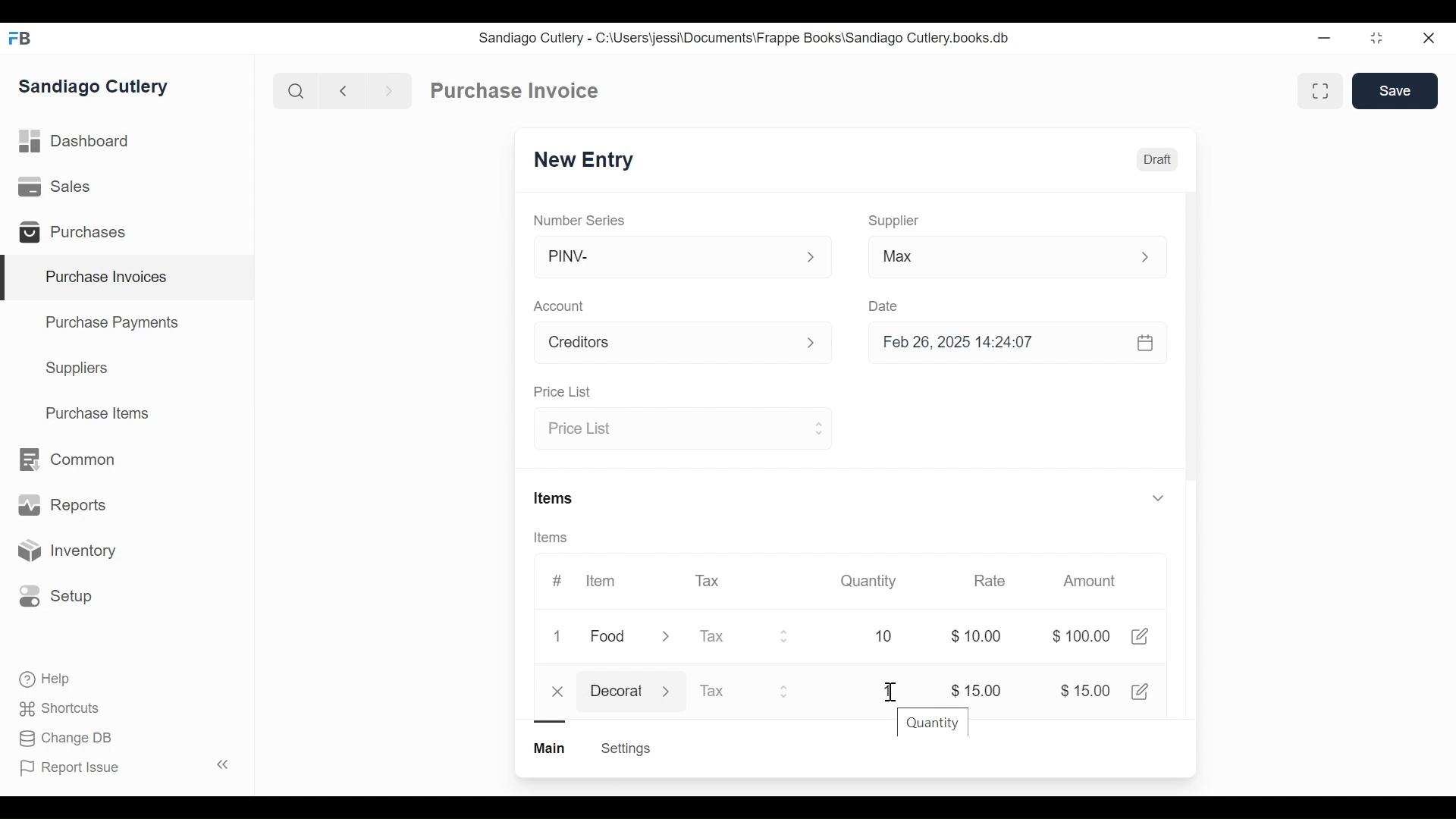 This screenshot has width=1456, height=819. What do you see at coordinates (562, 308) in the screenshot?
I see `Account` at bounding box center [562, 308].